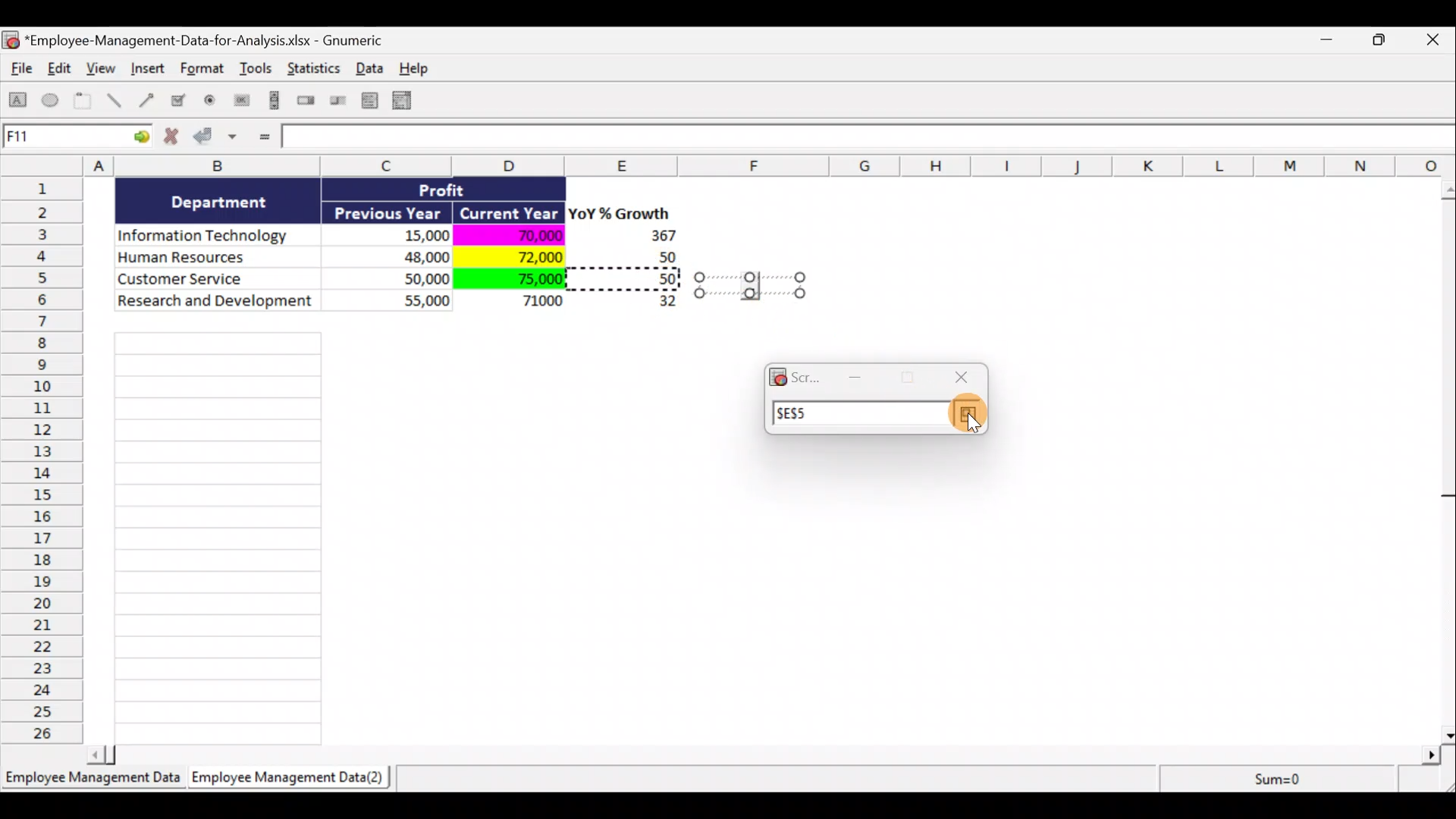 This screenshot has width=1456, height=819. I want to click on Cell allocation, so click(77, 139).